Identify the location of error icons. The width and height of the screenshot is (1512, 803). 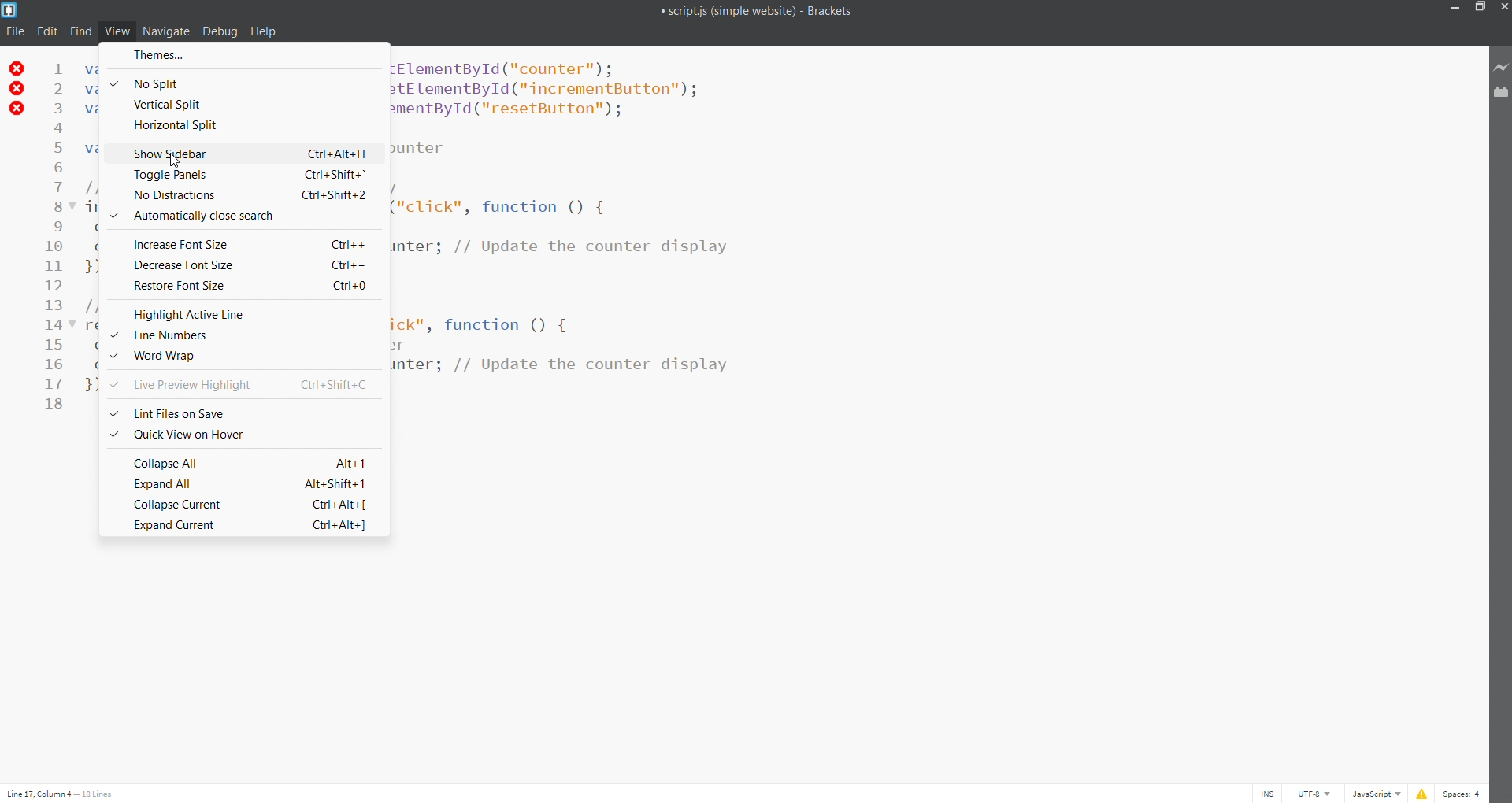
(15, 90).